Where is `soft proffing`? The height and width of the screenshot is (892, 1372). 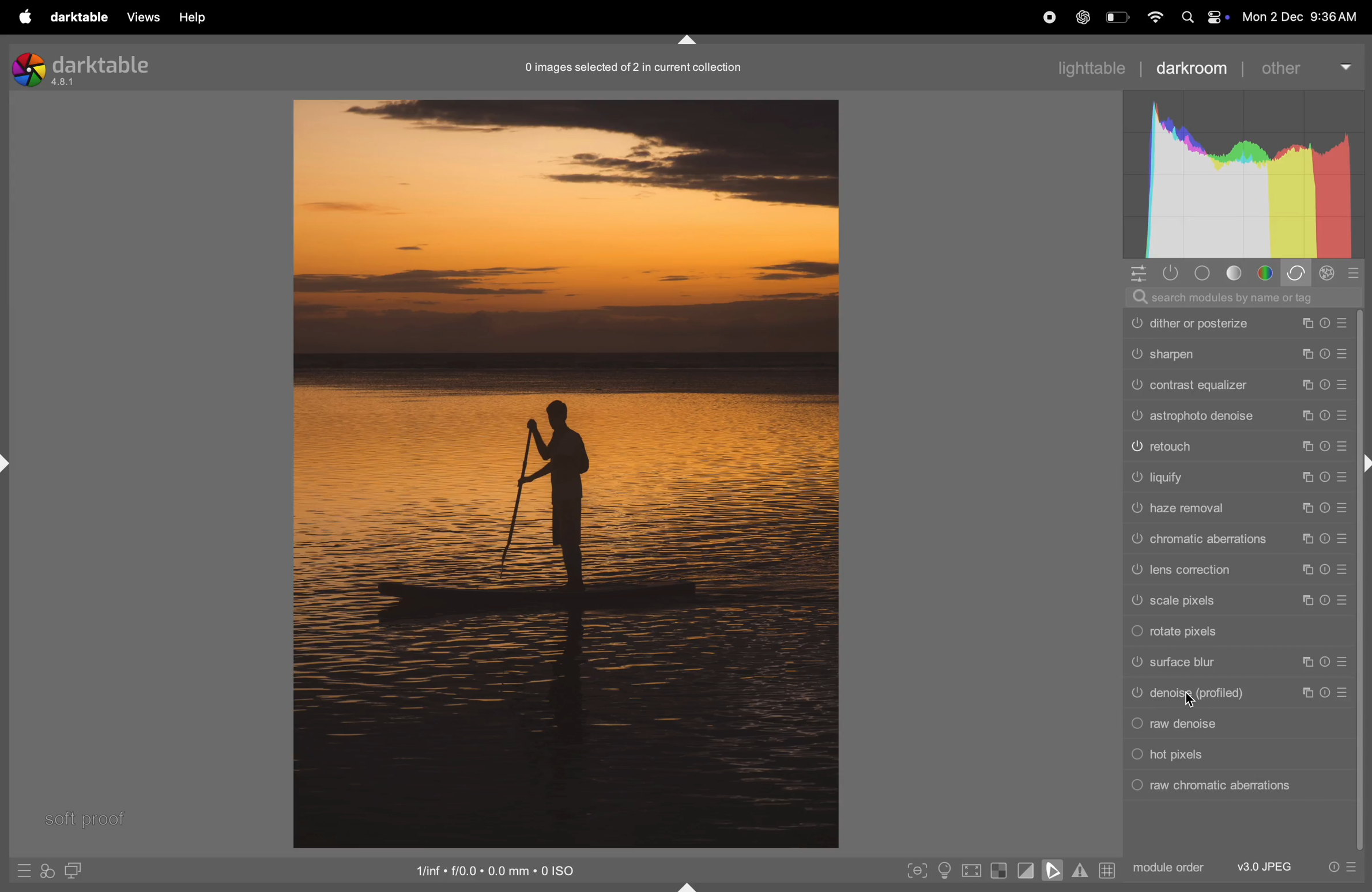
soft proffing is located at coordinates (85, 817).